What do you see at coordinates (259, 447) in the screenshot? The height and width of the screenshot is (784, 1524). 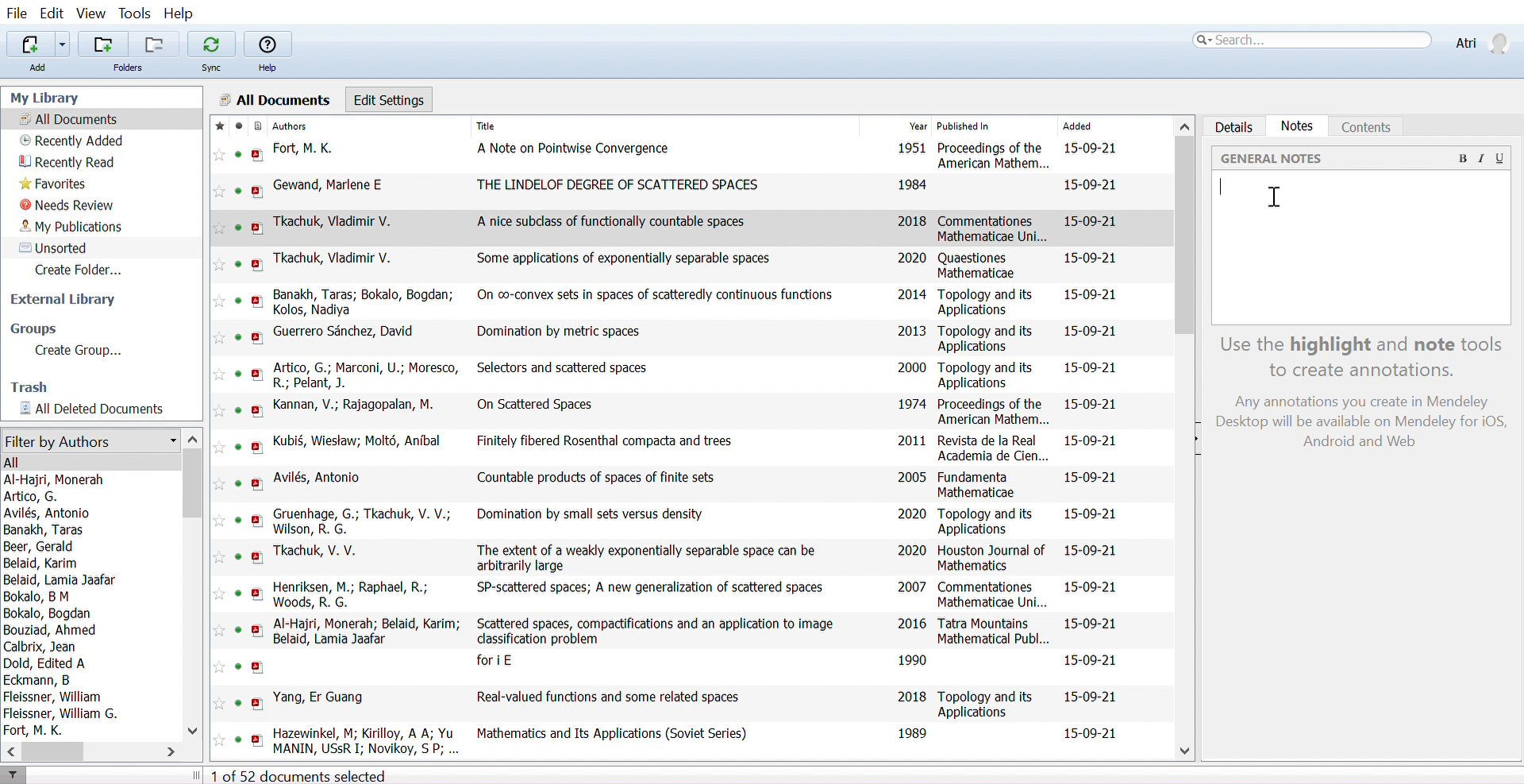 I see `open PDF` at bounding box center [259, 447].